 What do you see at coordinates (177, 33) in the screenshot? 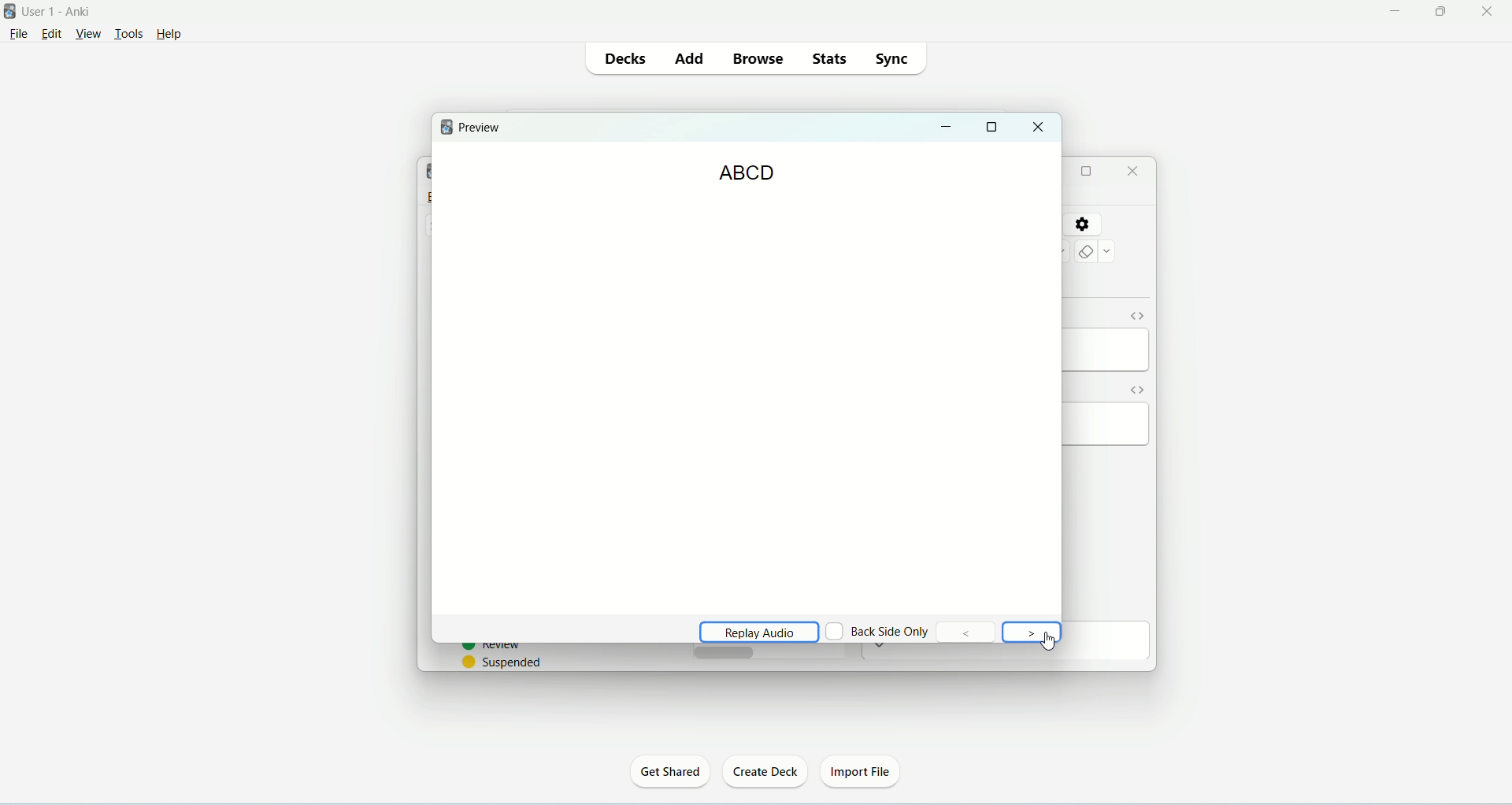
I see `help` at bounding box center [177, 33].